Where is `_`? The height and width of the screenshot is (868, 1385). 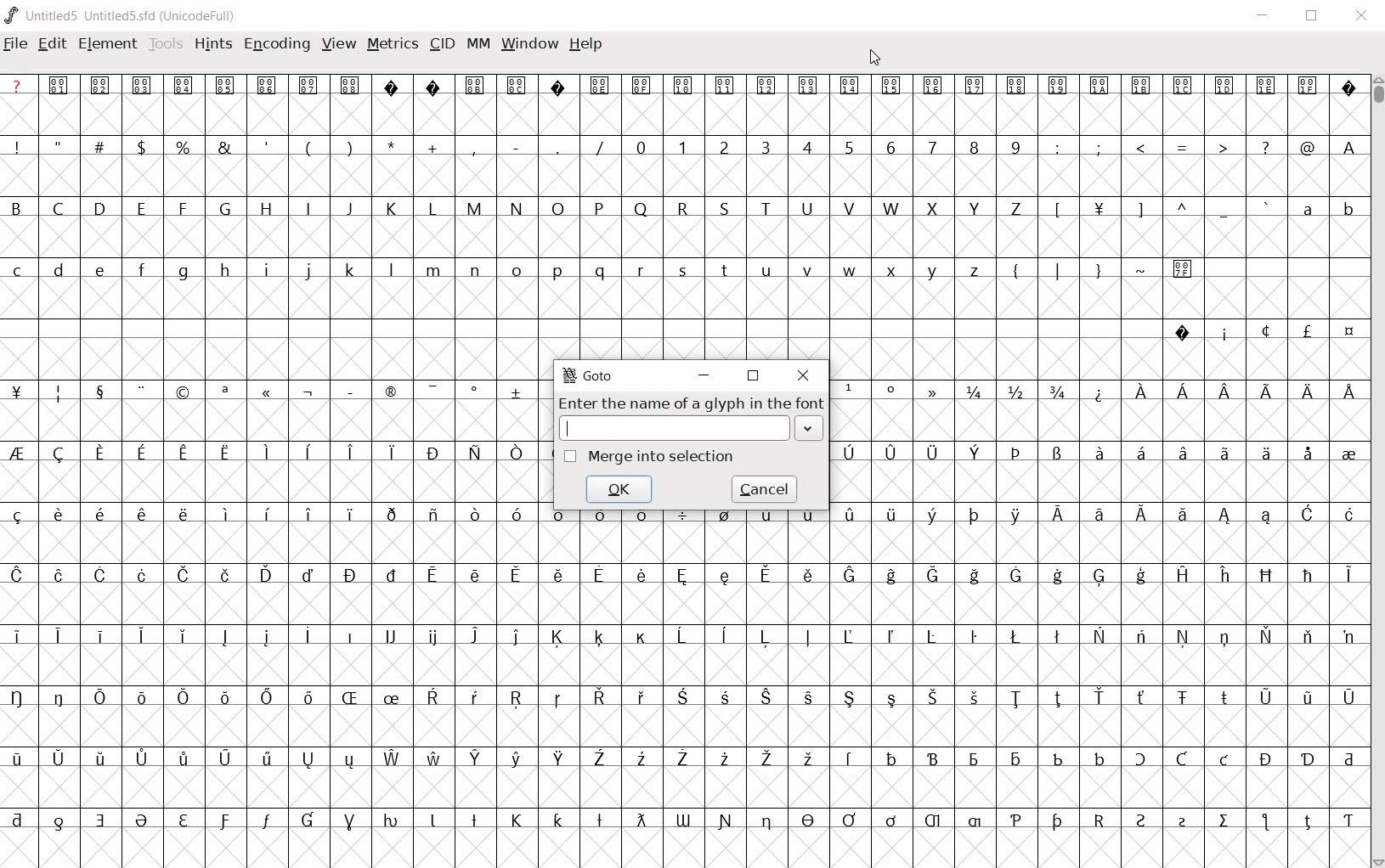
_ is located at coordinates (1224, 210).